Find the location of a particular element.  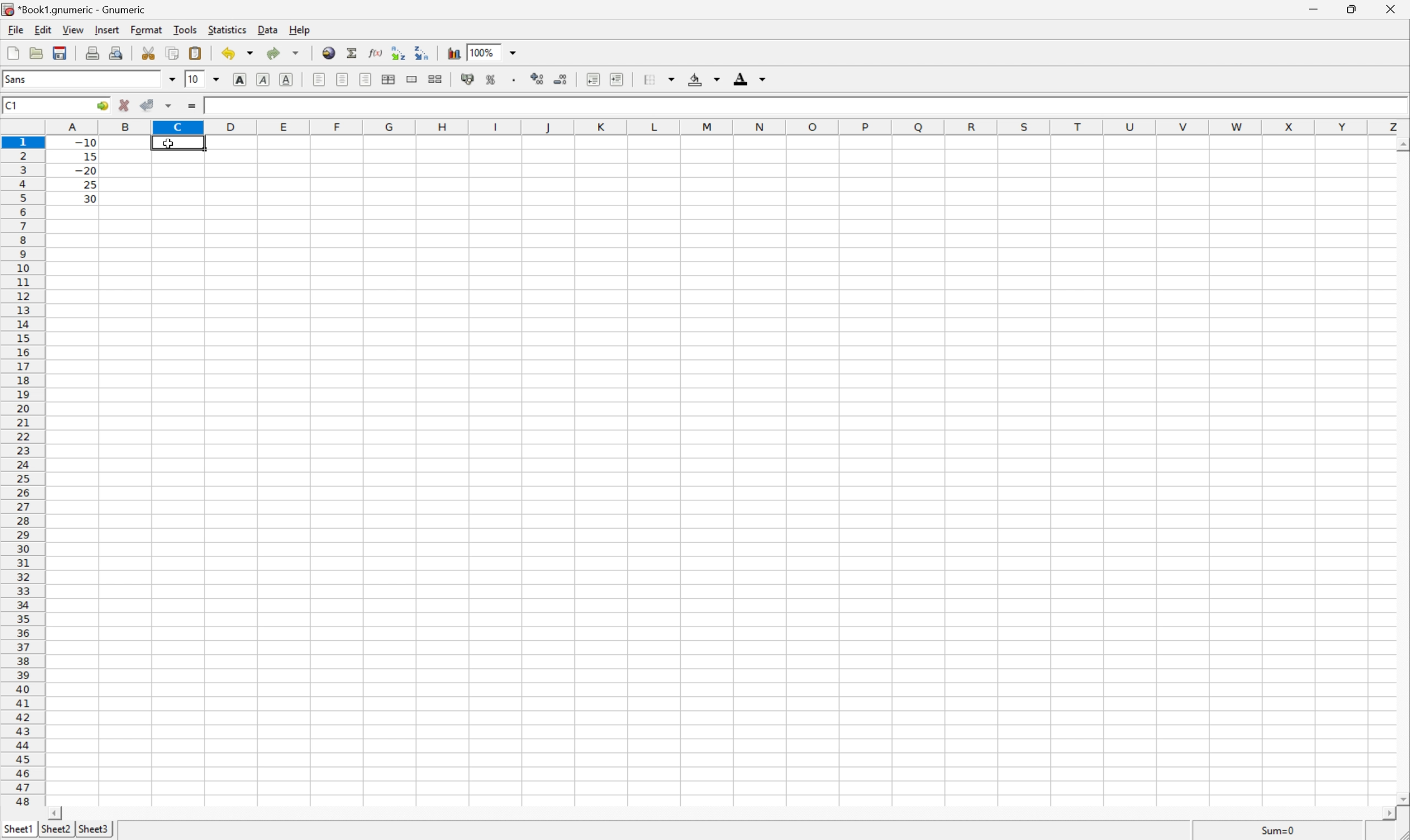

Underline  is located at coordinates (262, 80).